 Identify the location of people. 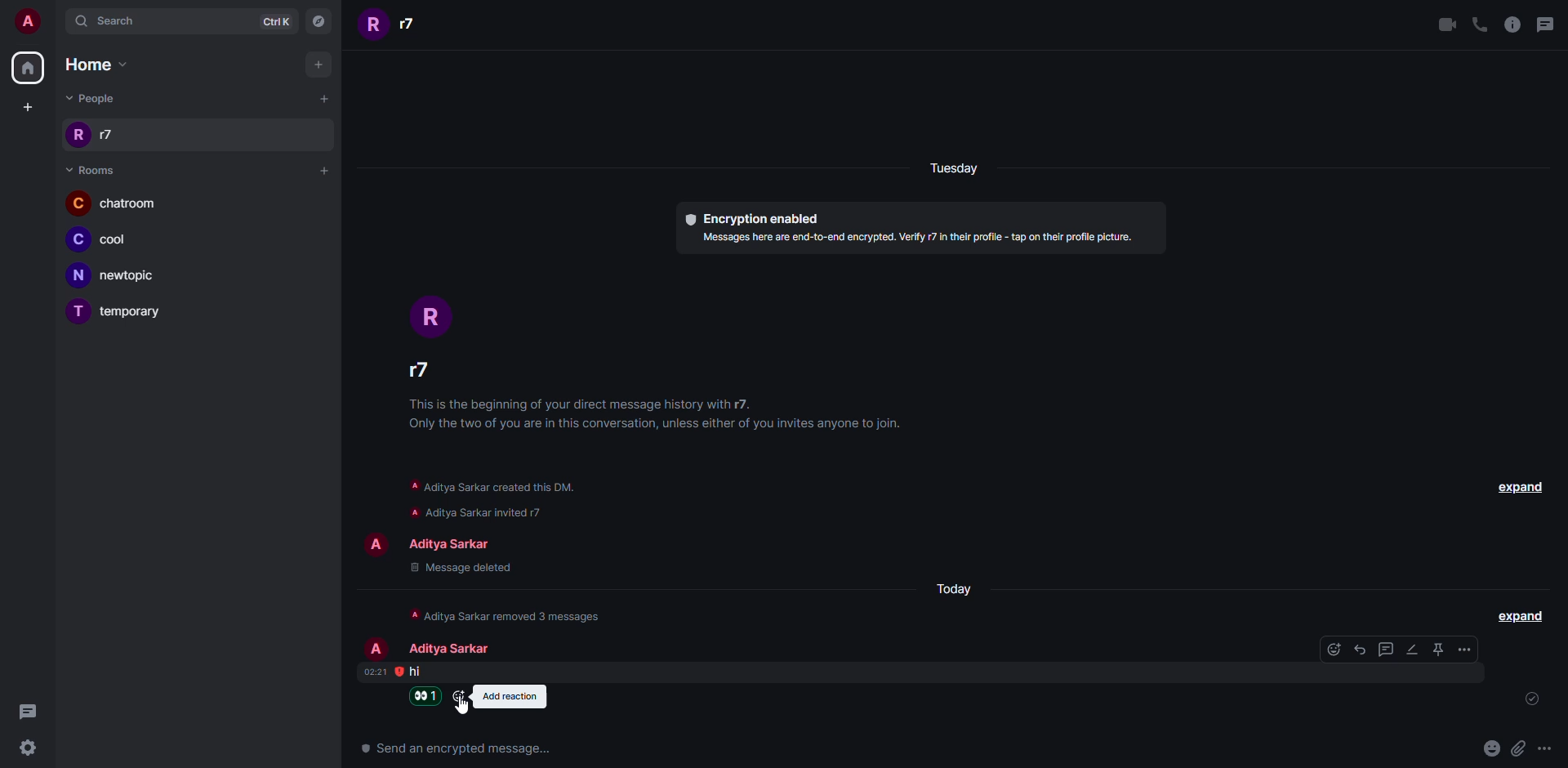
(91, 136).